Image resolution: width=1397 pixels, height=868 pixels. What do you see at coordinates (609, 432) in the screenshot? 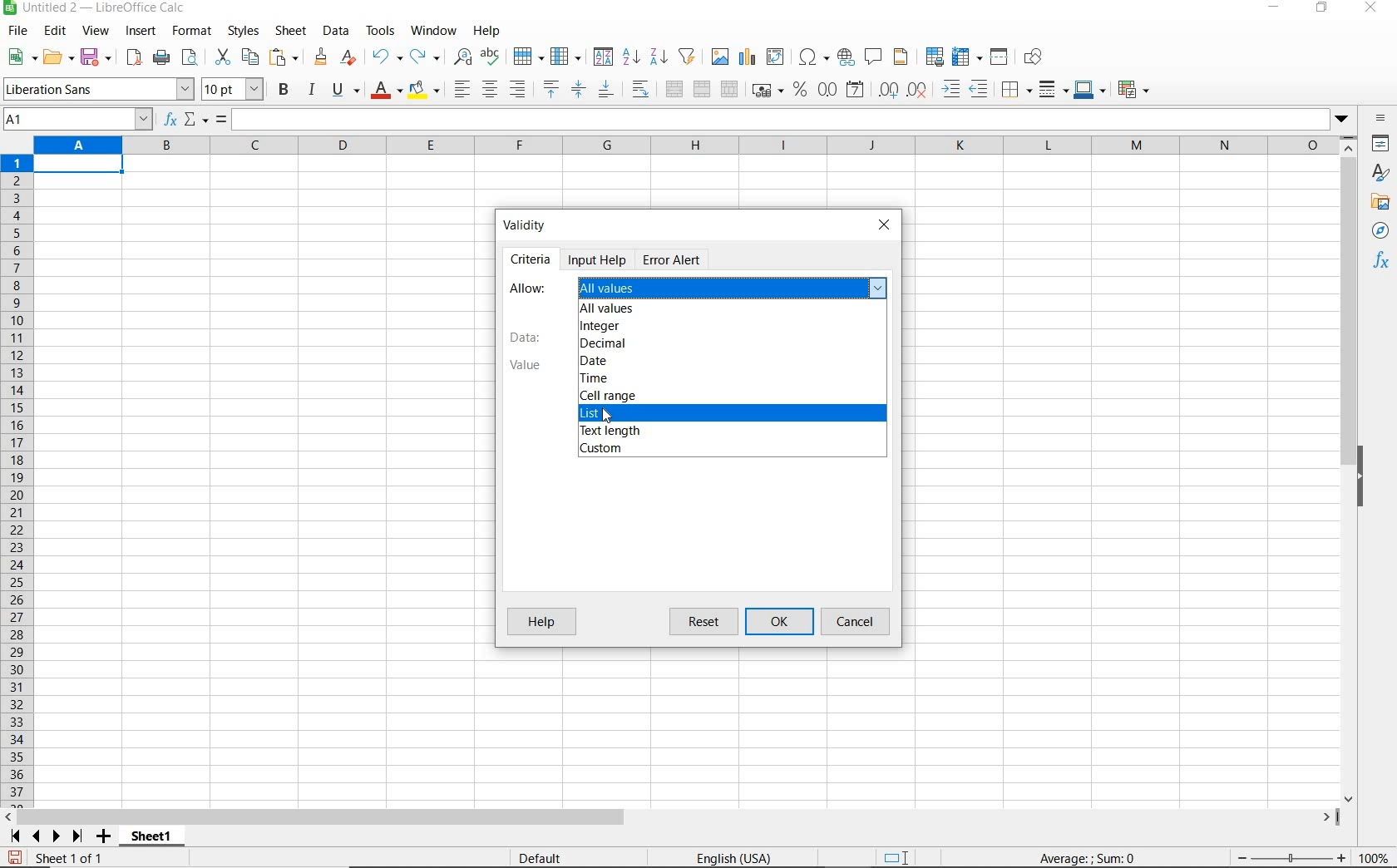
I see `text length` at bounding box center [609, 432].